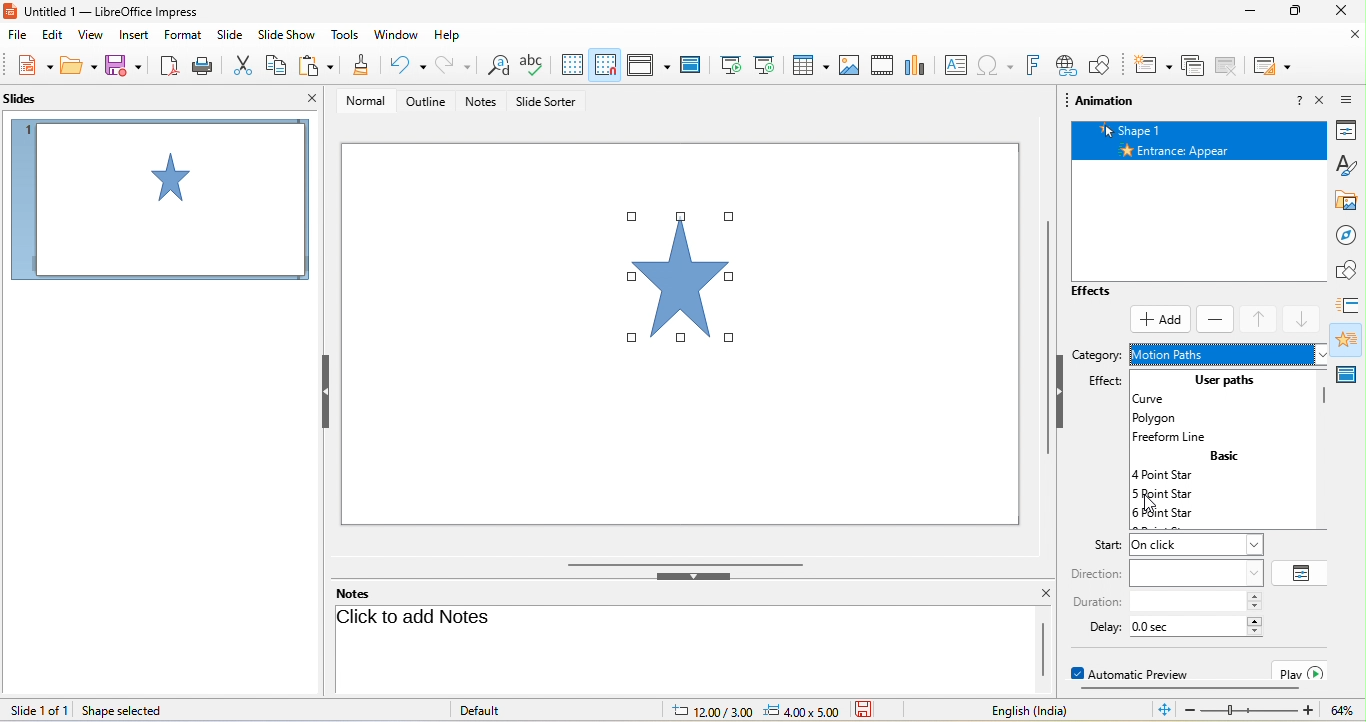  I want to click on save, so click(123, 66).